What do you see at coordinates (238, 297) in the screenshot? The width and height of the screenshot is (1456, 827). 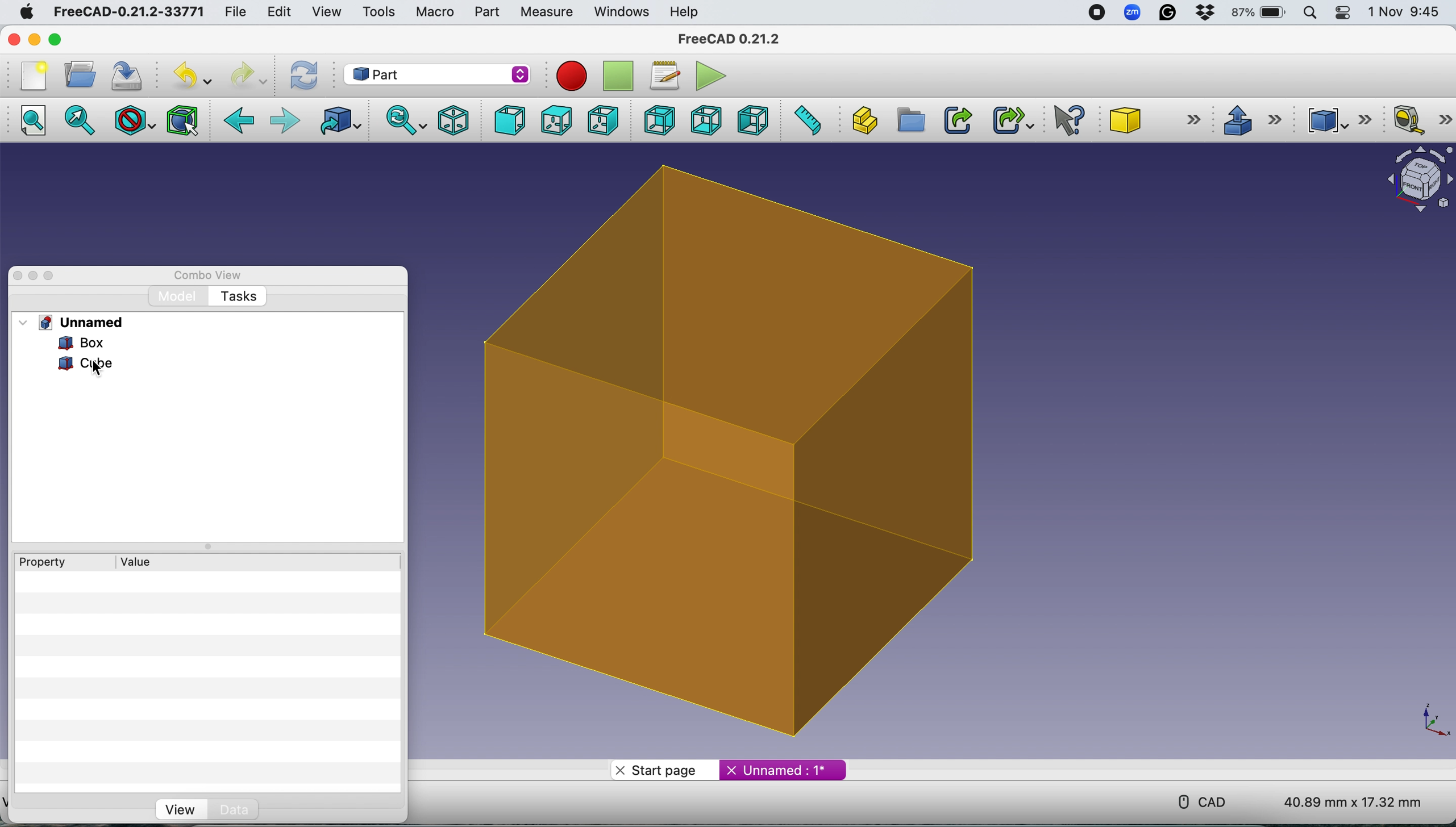 I see `Tasks` at bounding box center [238, 297].